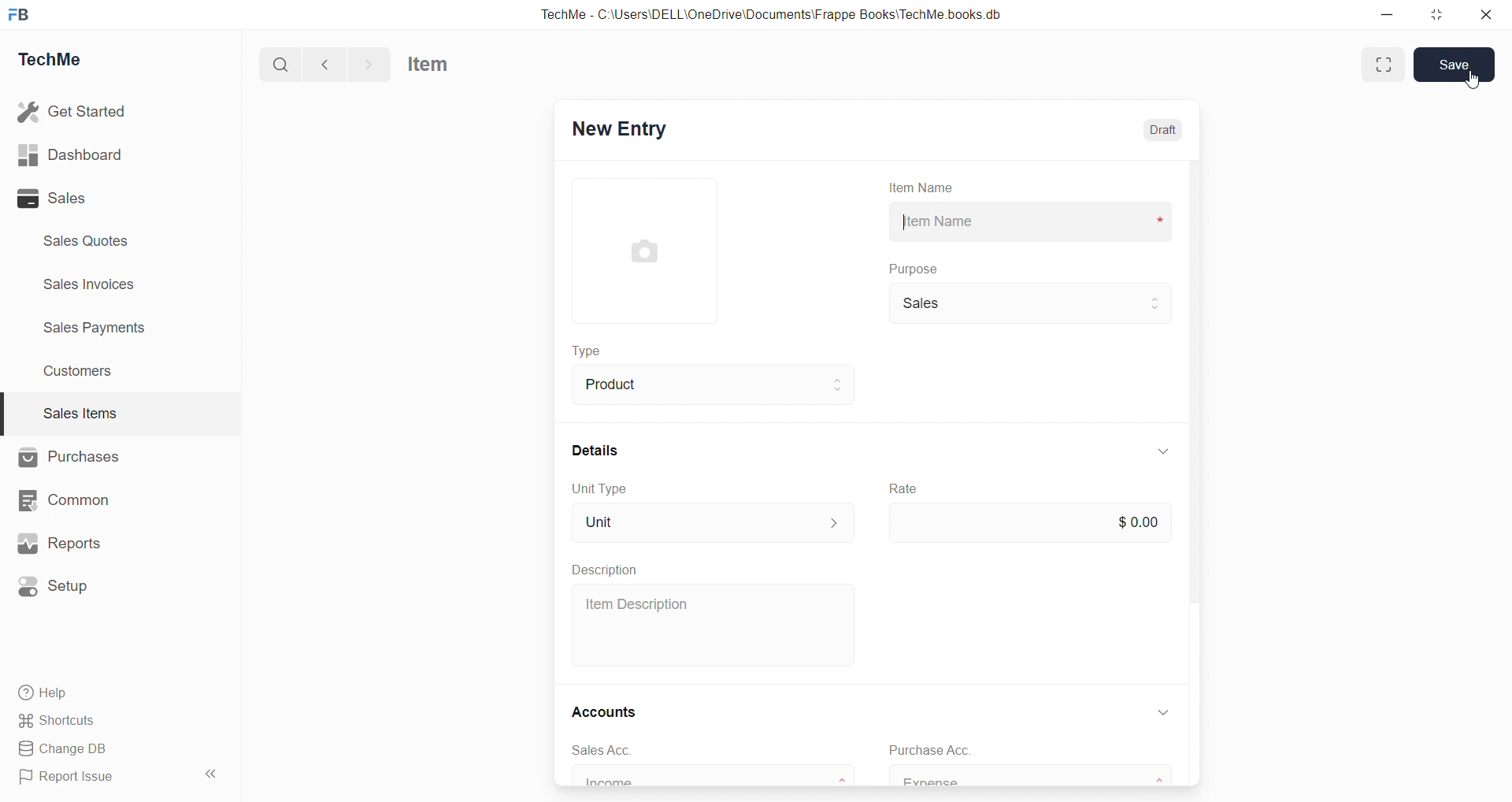  What do you see at coordinates (55, 58) in the screenshot?
I see `TechMe` at bounding box center [55, 58].